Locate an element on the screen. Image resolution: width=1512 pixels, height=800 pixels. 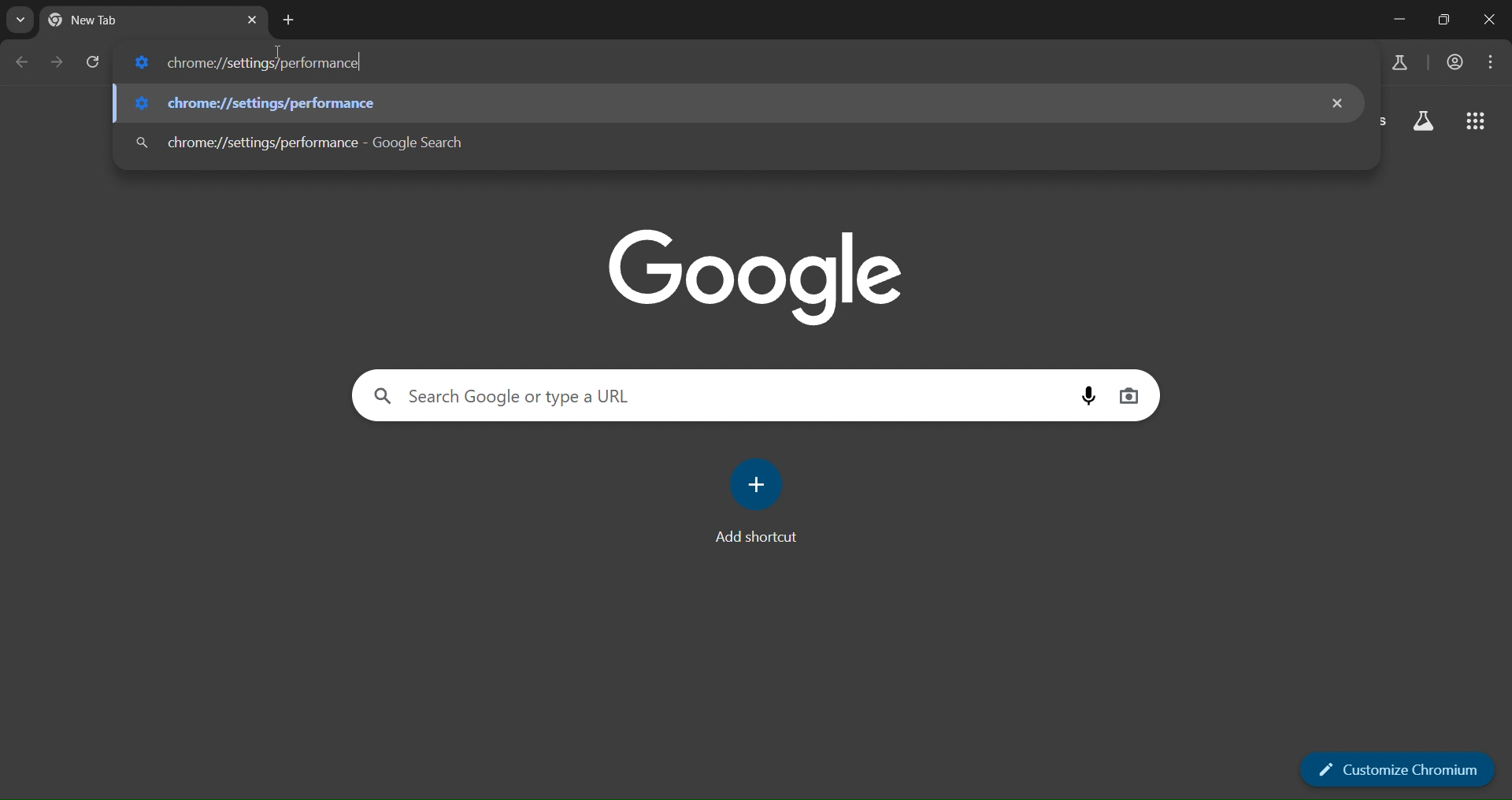
restore down is located at coordinates (1444, 20).